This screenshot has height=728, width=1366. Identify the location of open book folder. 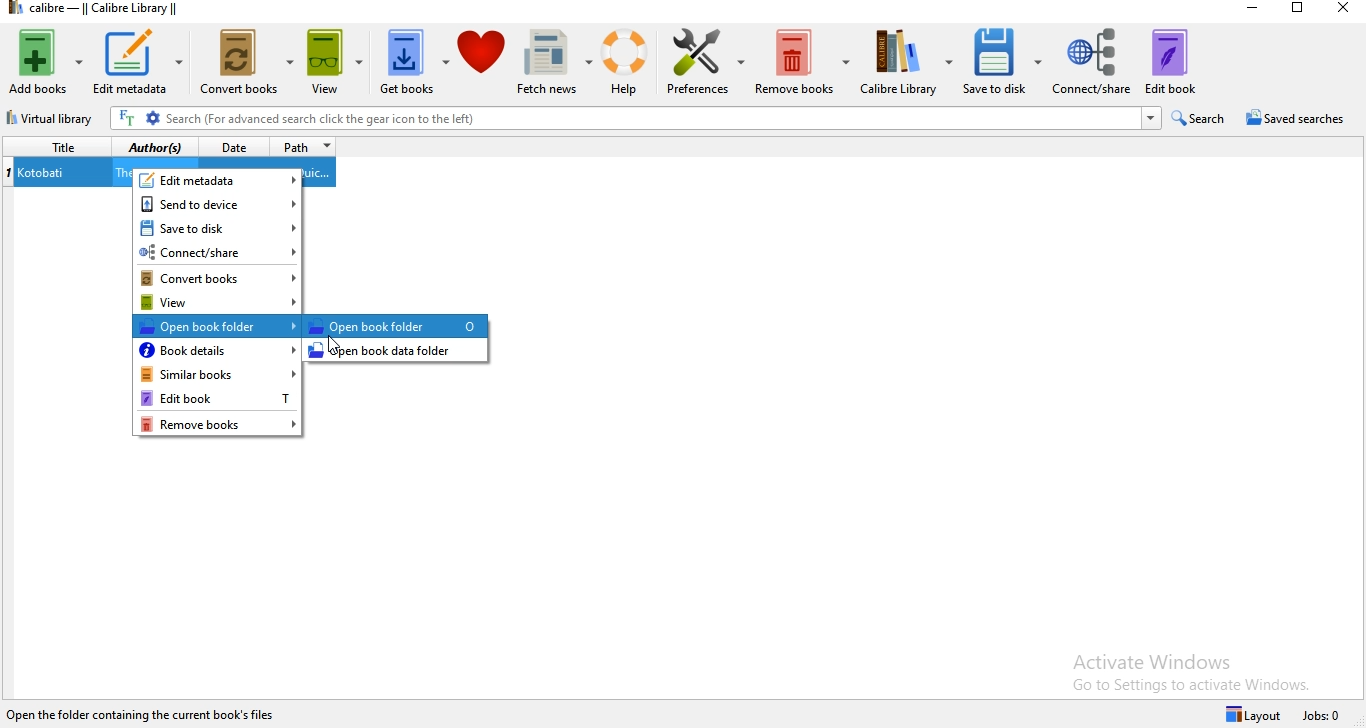
(214, 325).